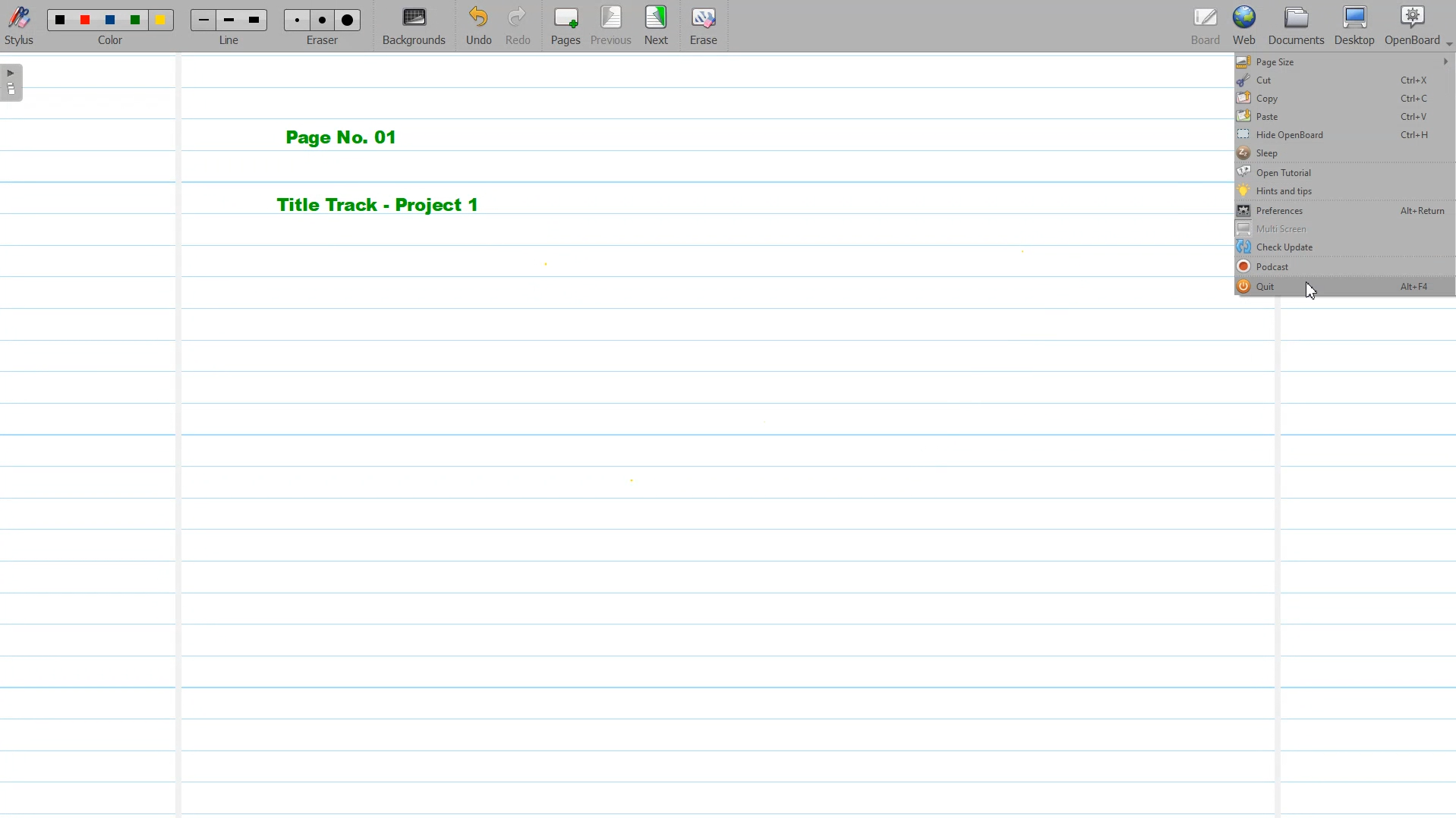 This screenshot has height=818, width=1456. Describe the element at coordinates (112, 26) in the screenshot. I see `Color` at that location.